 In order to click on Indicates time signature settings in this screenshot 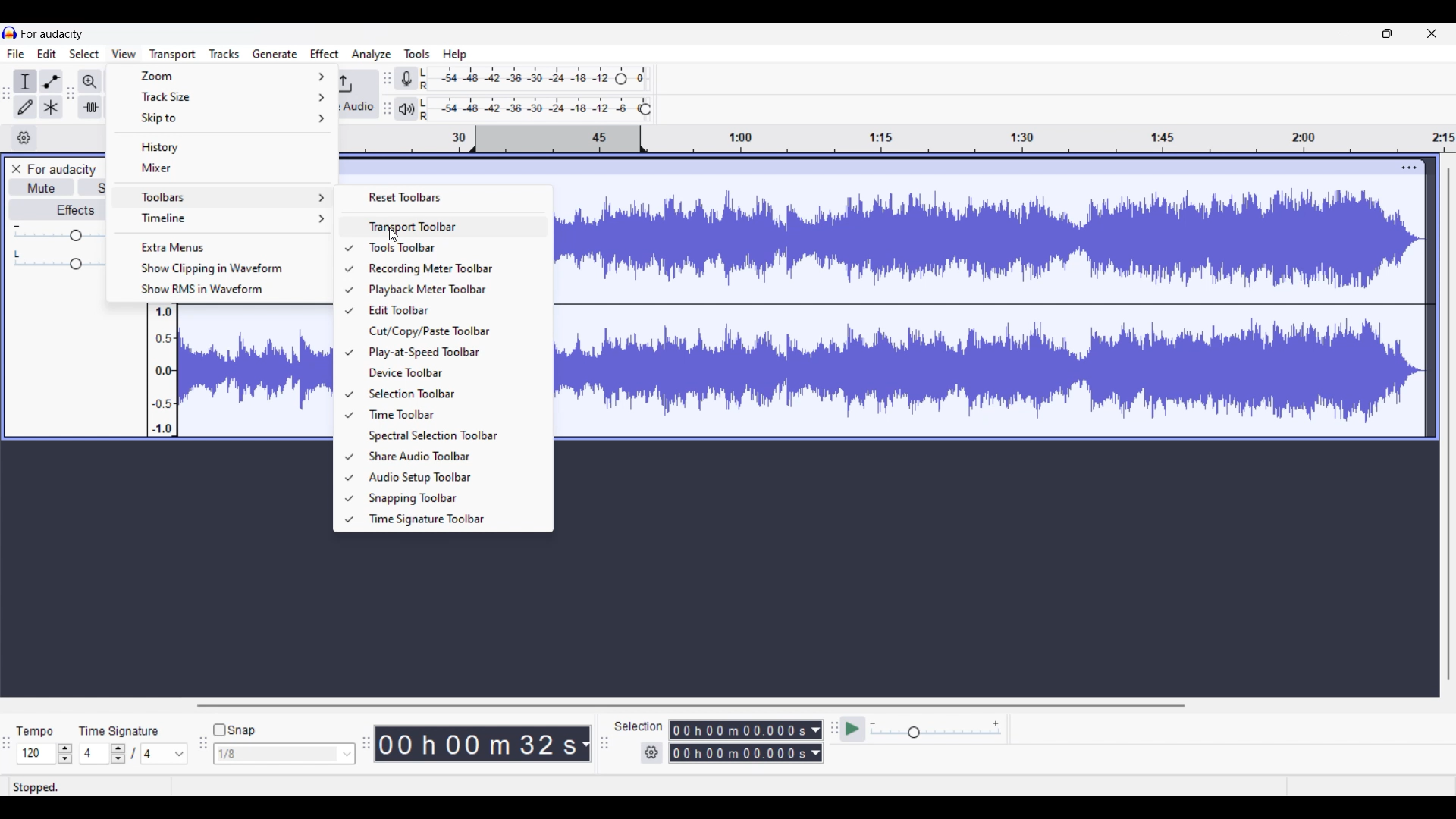, I will do `click(120, 731)`.